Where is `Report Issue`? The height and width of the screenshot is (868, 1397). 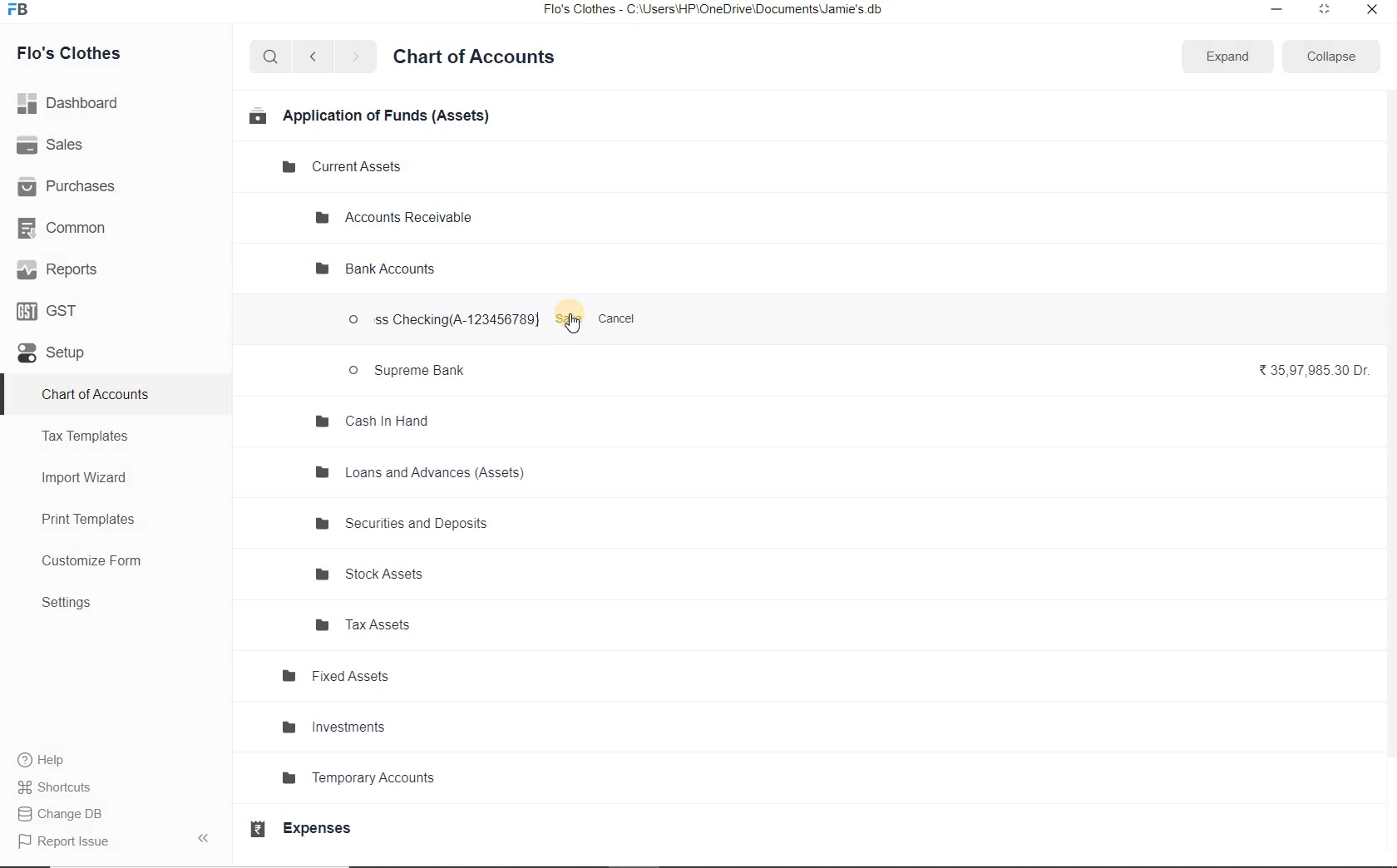
Report Issue is located at coordinates (63, 841).